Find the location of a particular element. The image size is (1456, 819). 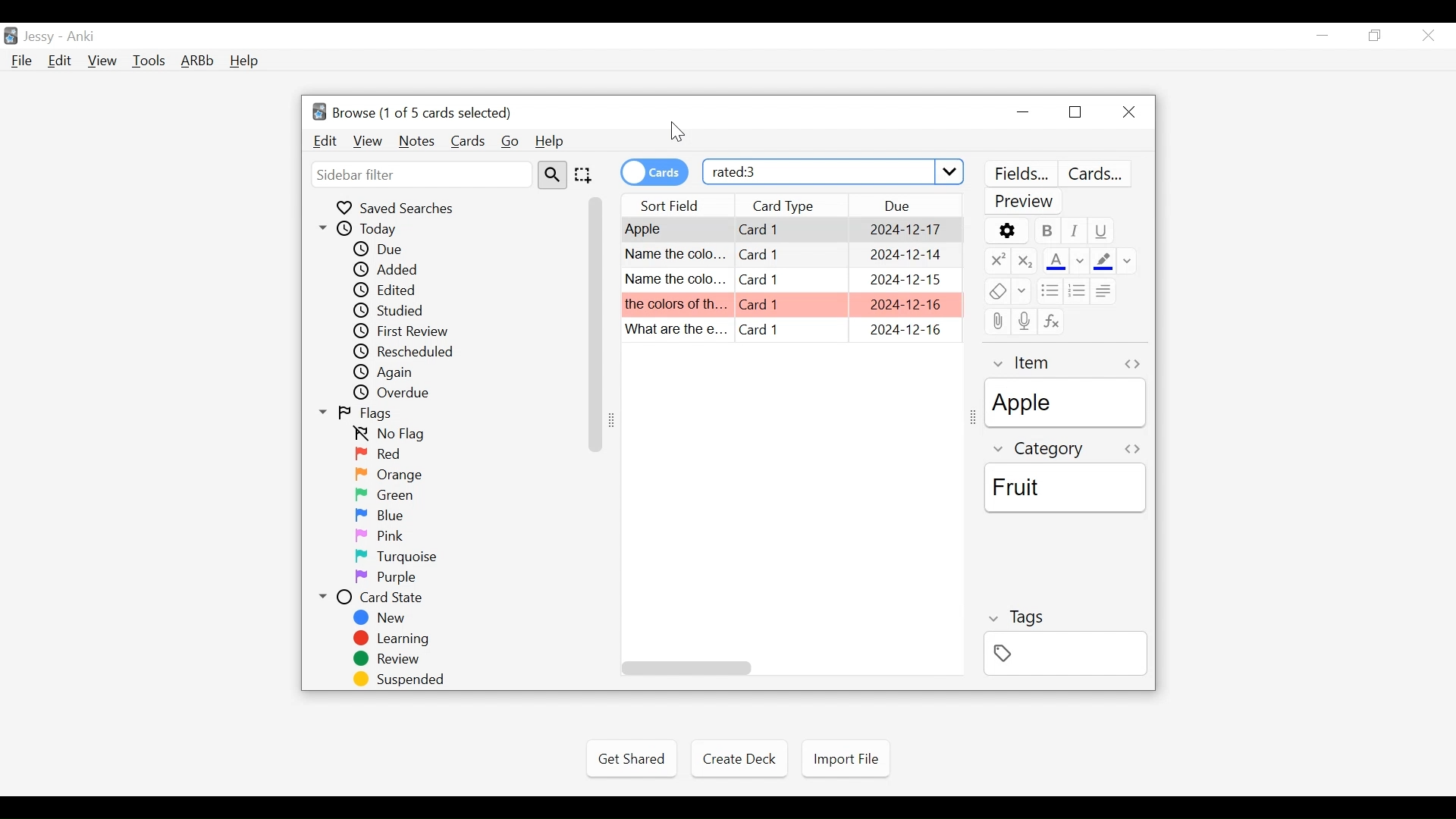

Anki is located at coordinates (84, 36).